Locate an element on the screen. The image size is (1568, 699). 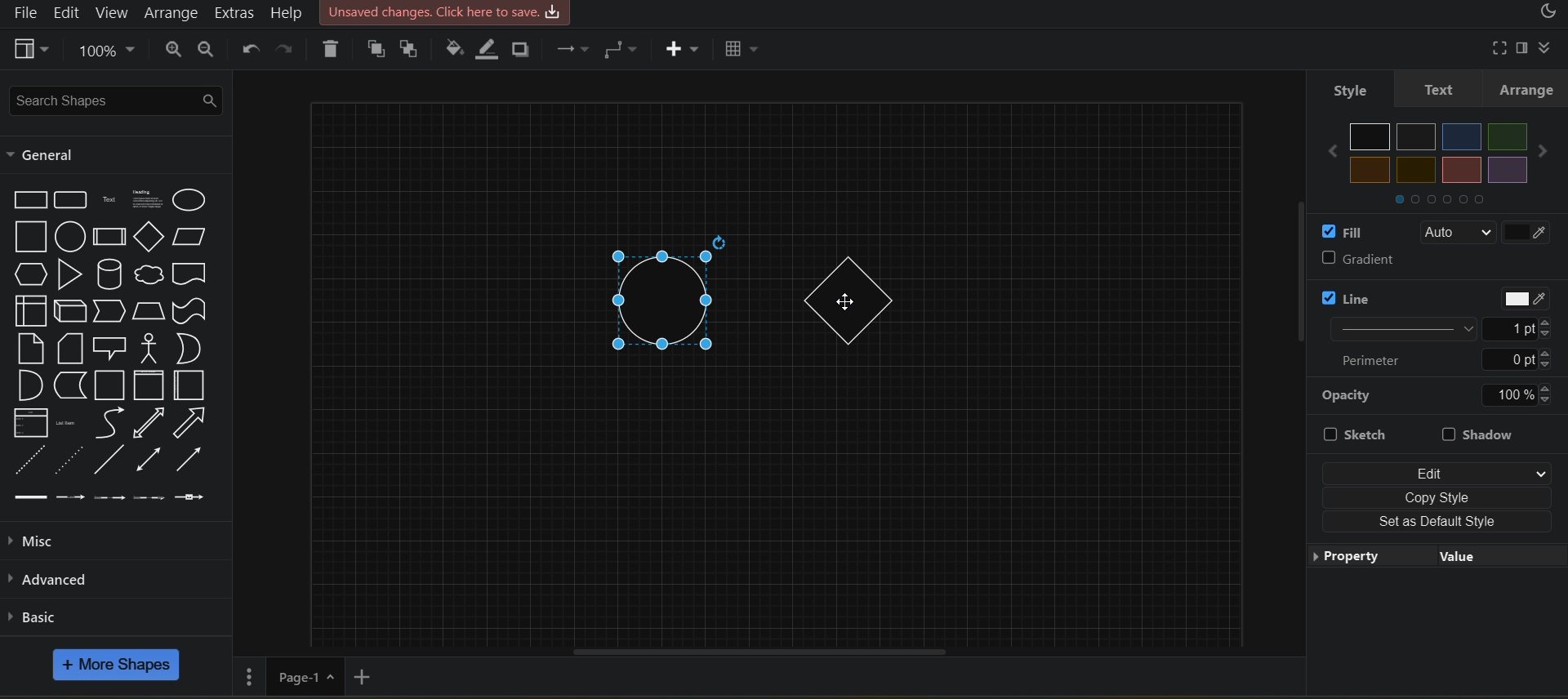
connection is located at coordinates (571, 49).